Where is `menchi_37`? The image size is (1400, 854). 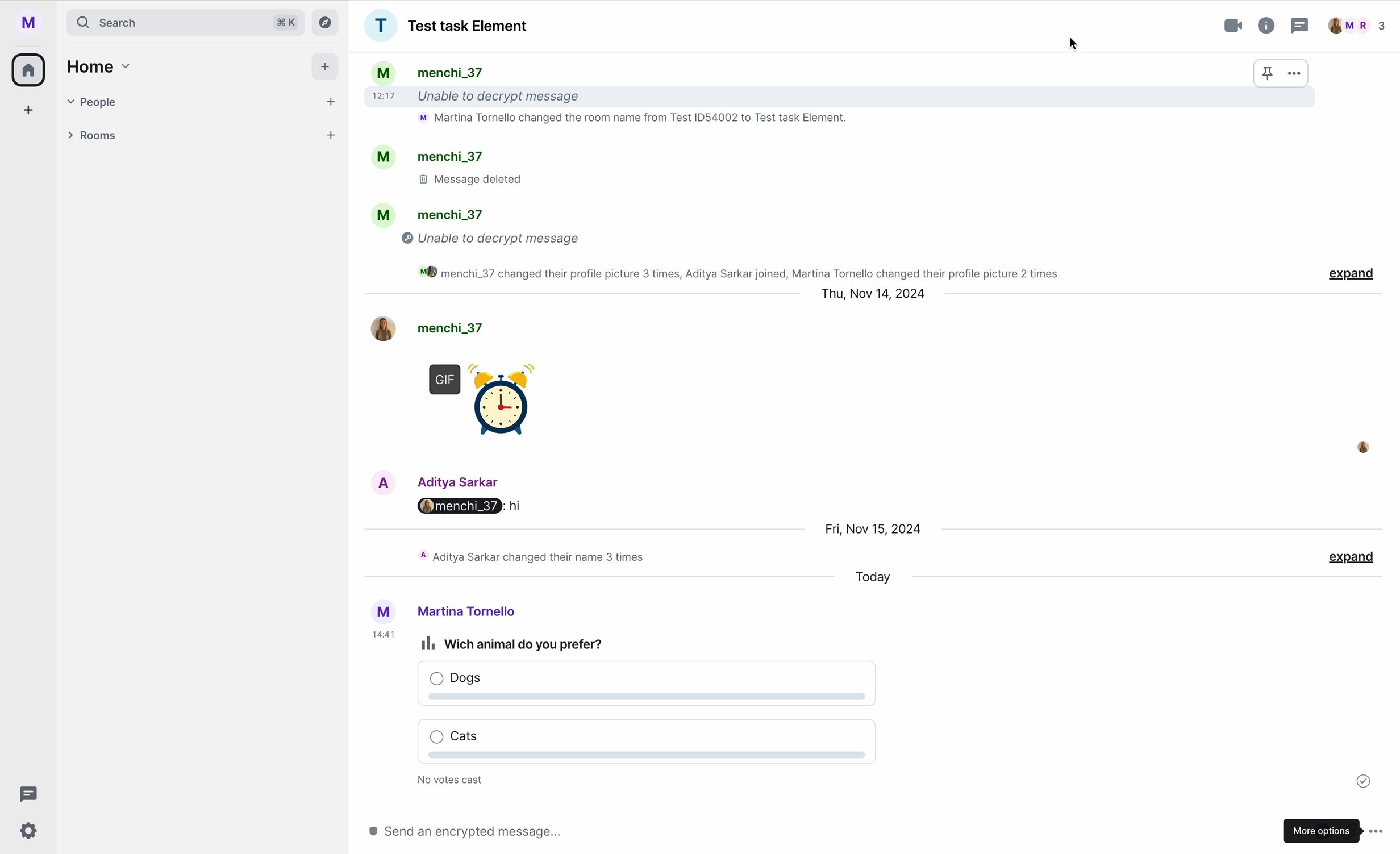 menchi_37 is located at coordinates (428, 326).